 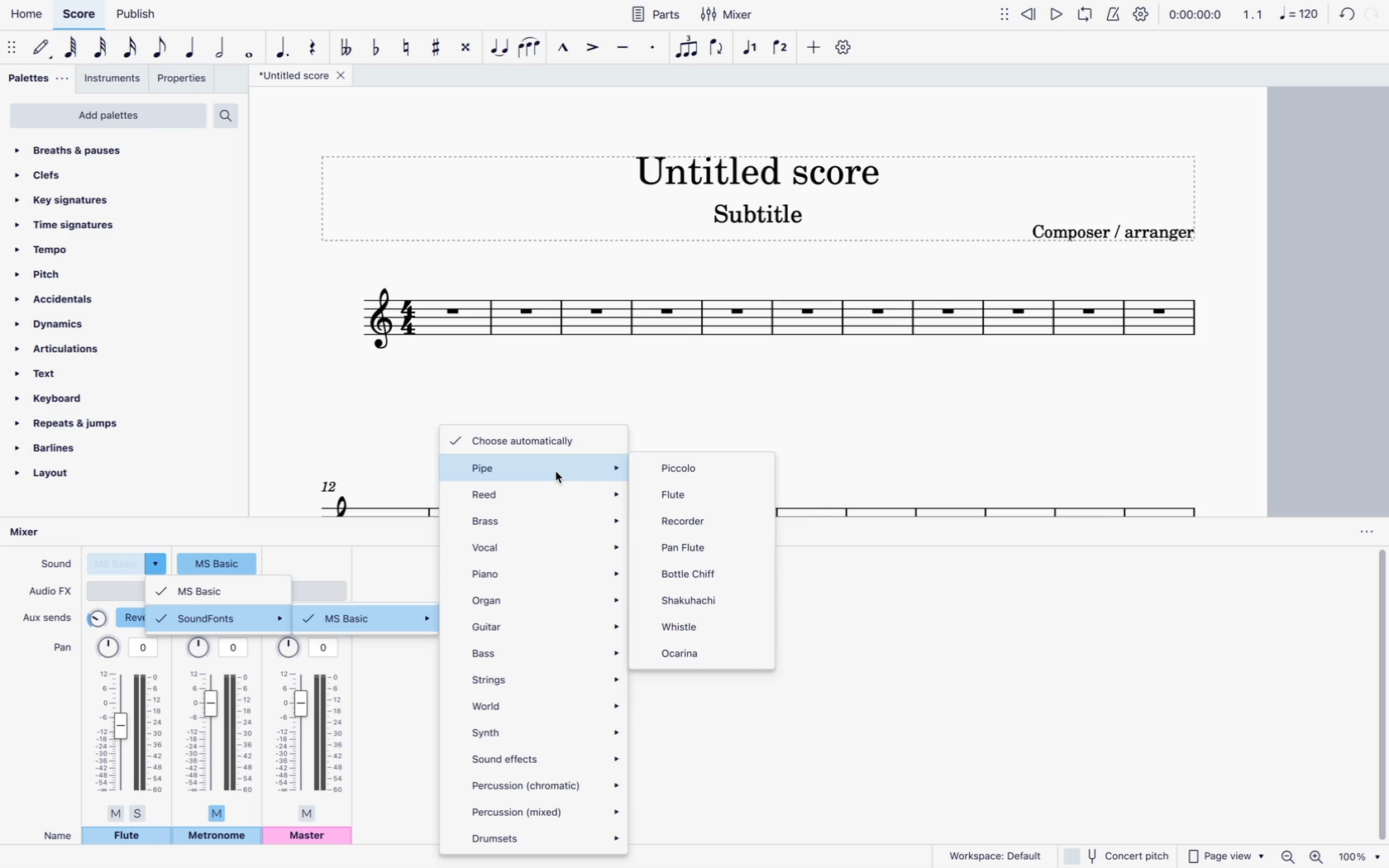 I want to click on zoom percentage, so click(x=1362, y=856).